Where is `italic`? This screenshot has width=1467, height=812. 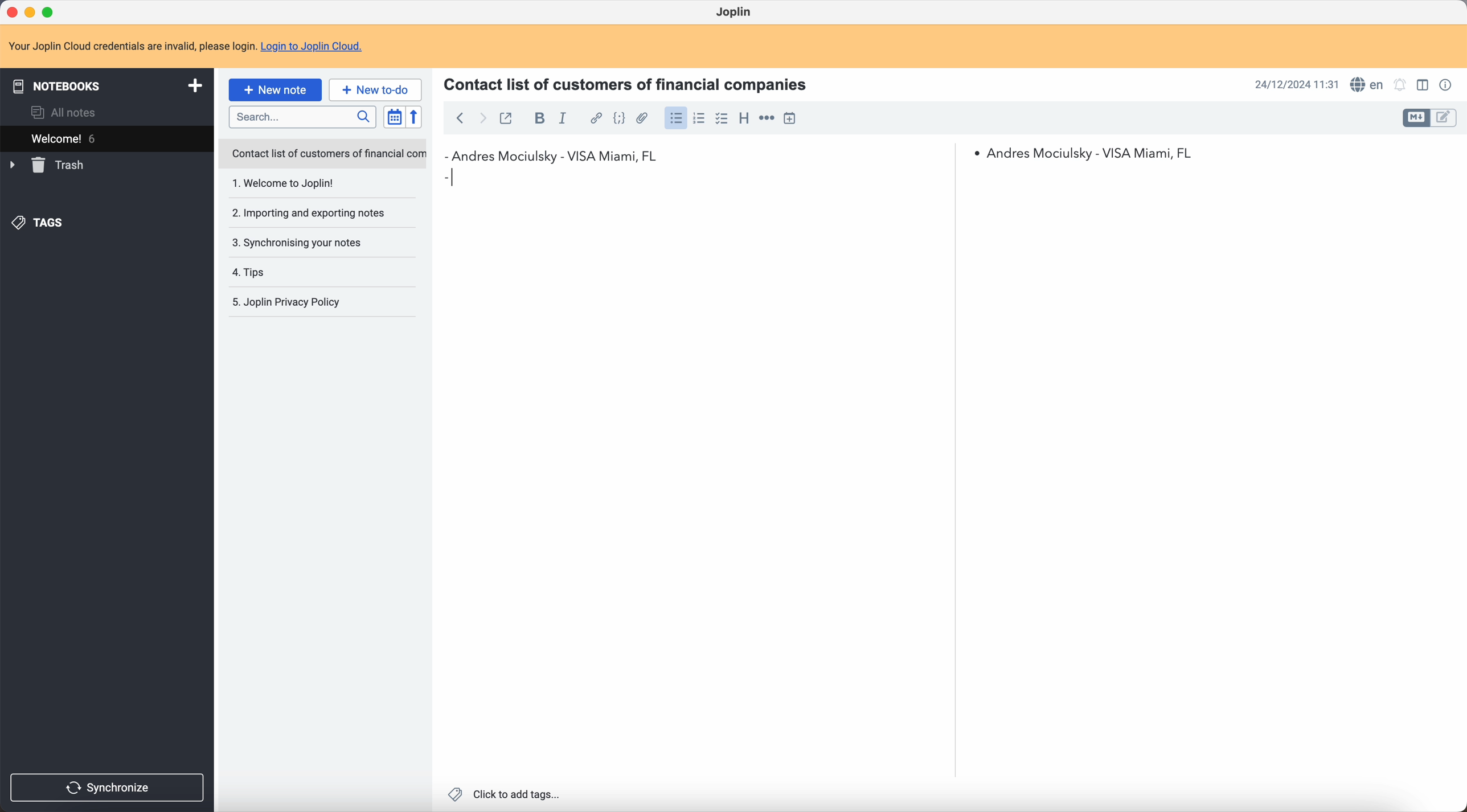 italic is located at coordinates (563, 120).